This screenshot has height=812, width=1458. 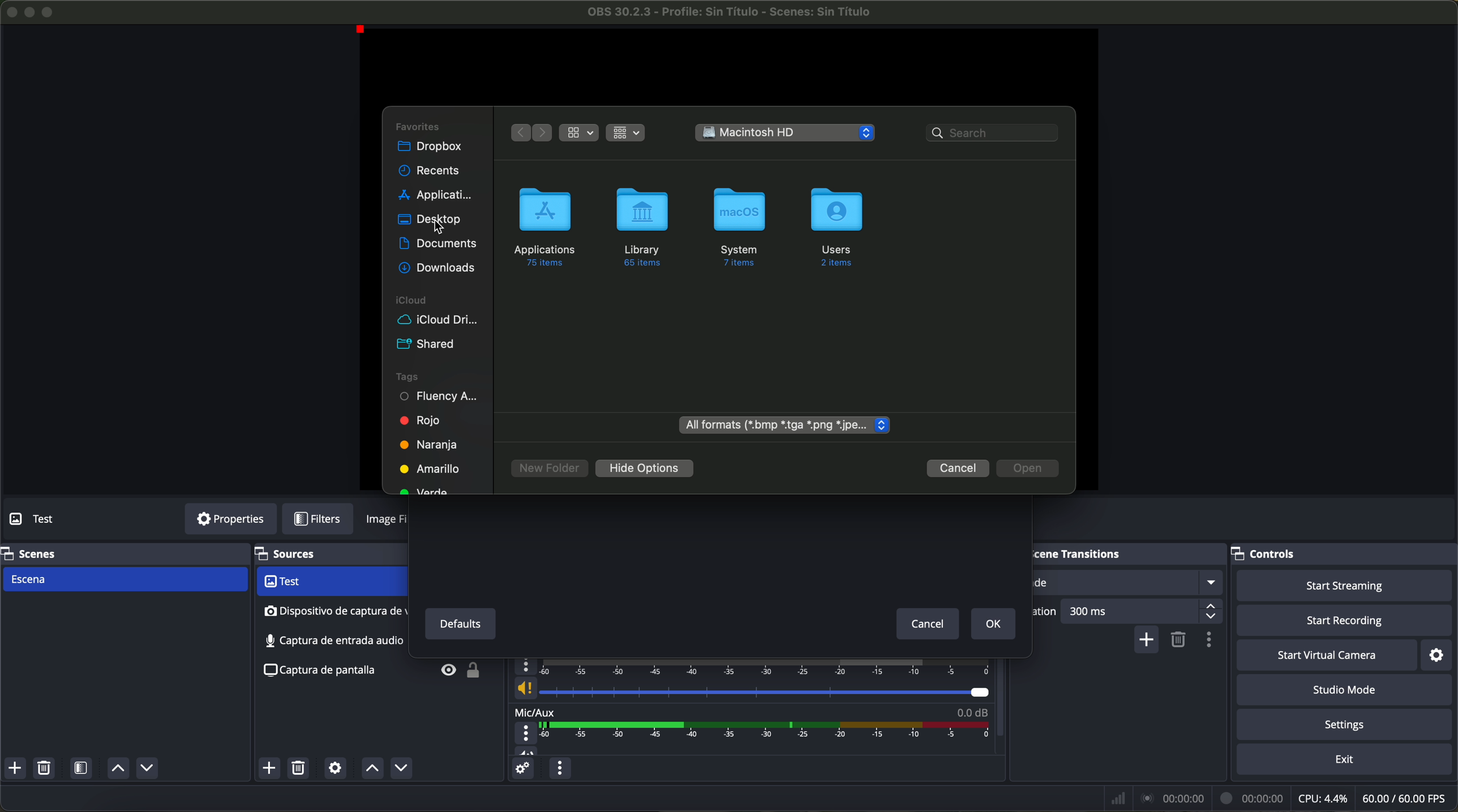 What do you see at coordinates (769, 731) in the screenshot?
I see `timeline` at bounding box center [769, 731].